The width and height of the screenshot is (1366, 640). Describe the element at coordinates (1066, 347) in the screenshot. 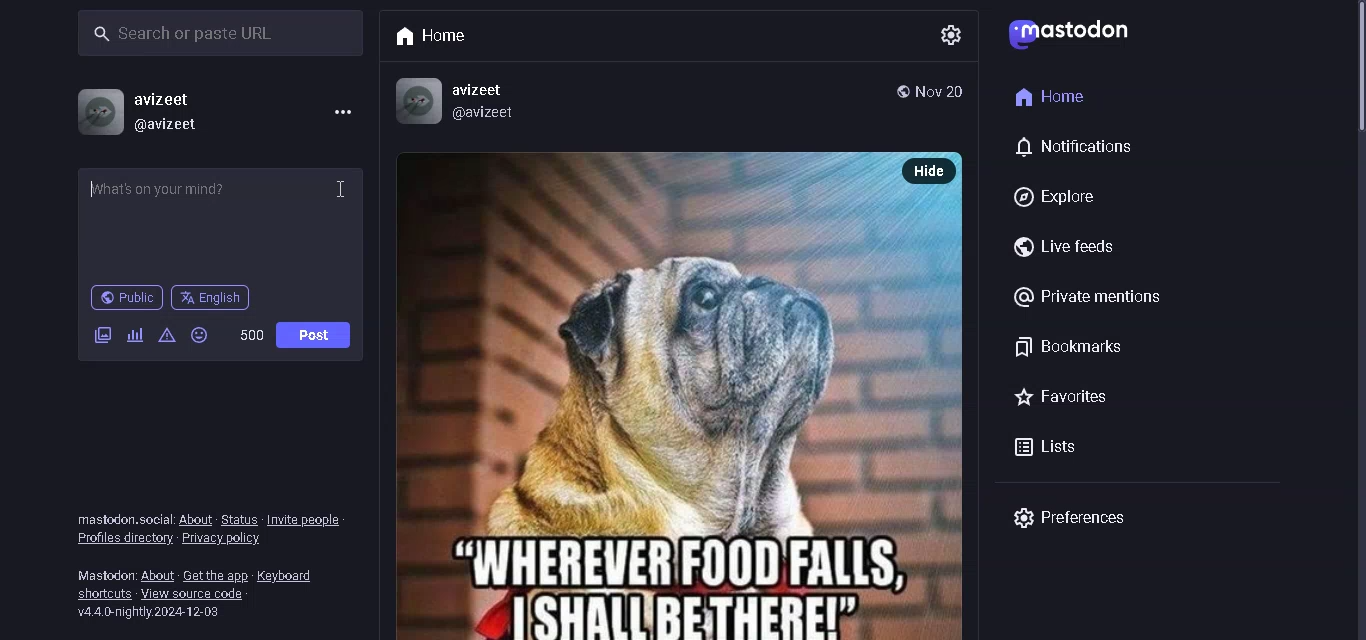

I see `bookmarks` at that location.